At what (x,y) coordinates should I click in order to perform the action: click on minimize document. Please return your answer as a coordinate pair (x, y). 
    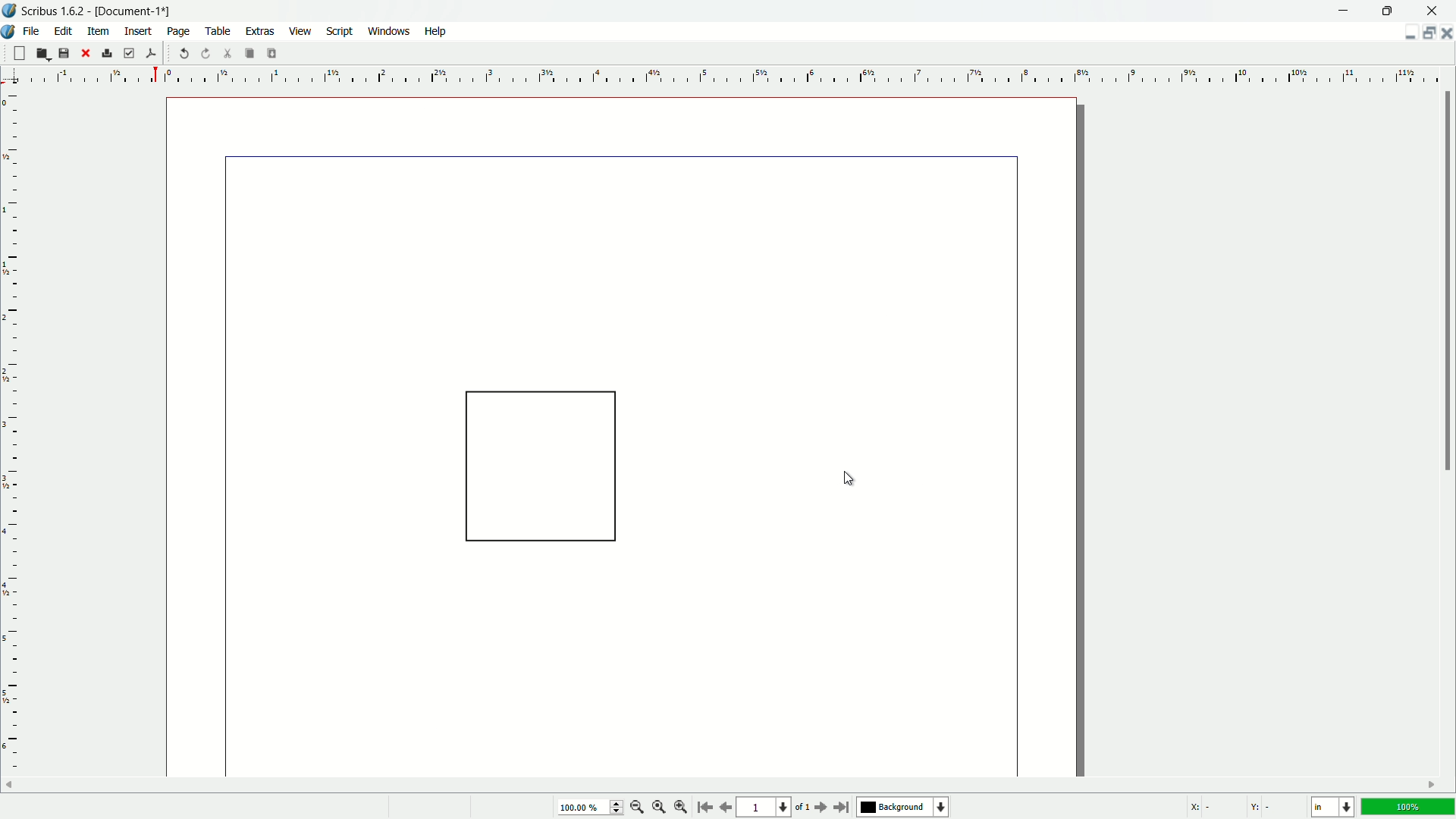
    Looking at the image, I should click on (1403, 35).